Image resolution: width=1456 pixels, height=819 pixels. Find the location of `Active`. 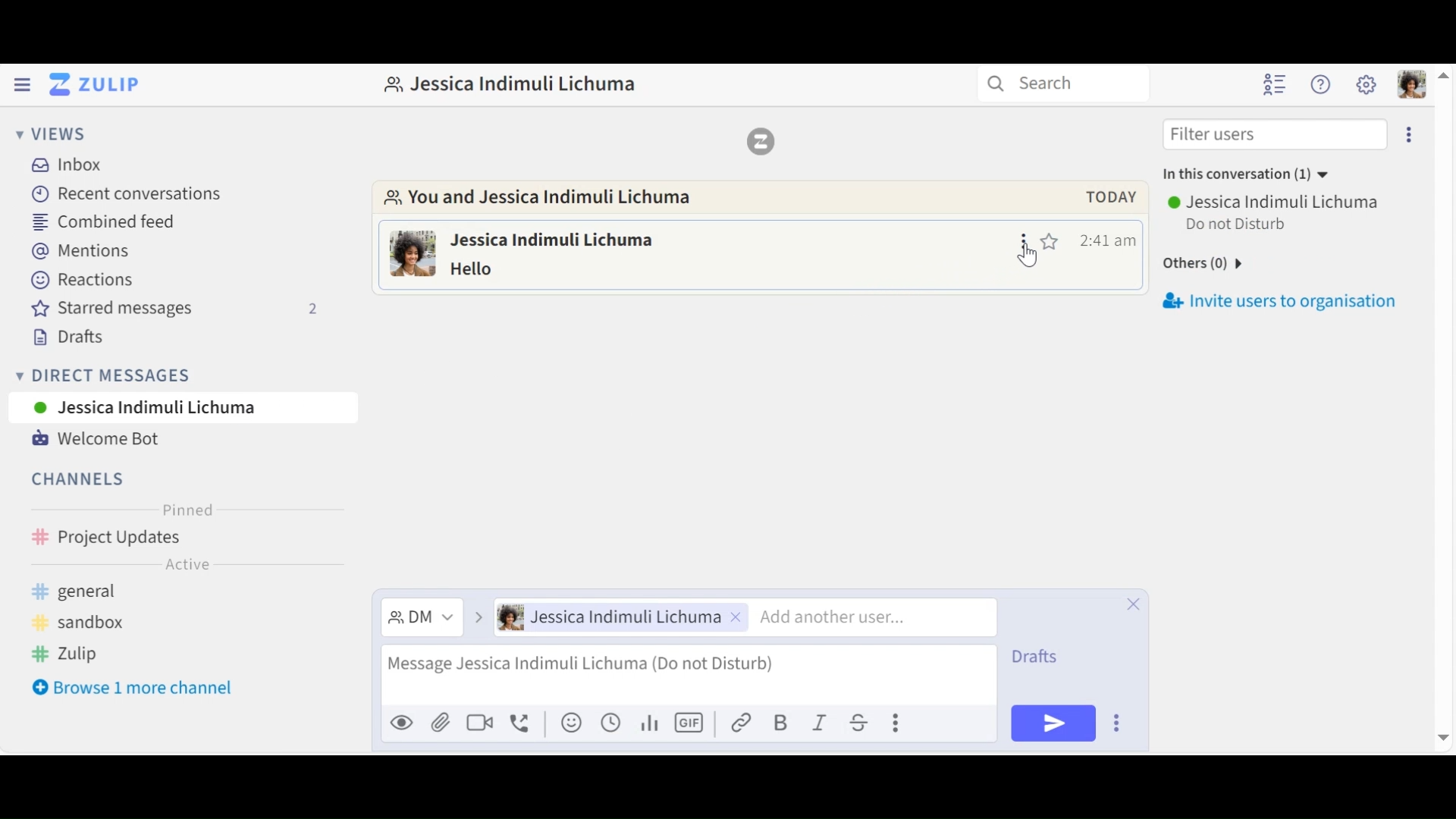

Active is located at coordinates (186, 567).